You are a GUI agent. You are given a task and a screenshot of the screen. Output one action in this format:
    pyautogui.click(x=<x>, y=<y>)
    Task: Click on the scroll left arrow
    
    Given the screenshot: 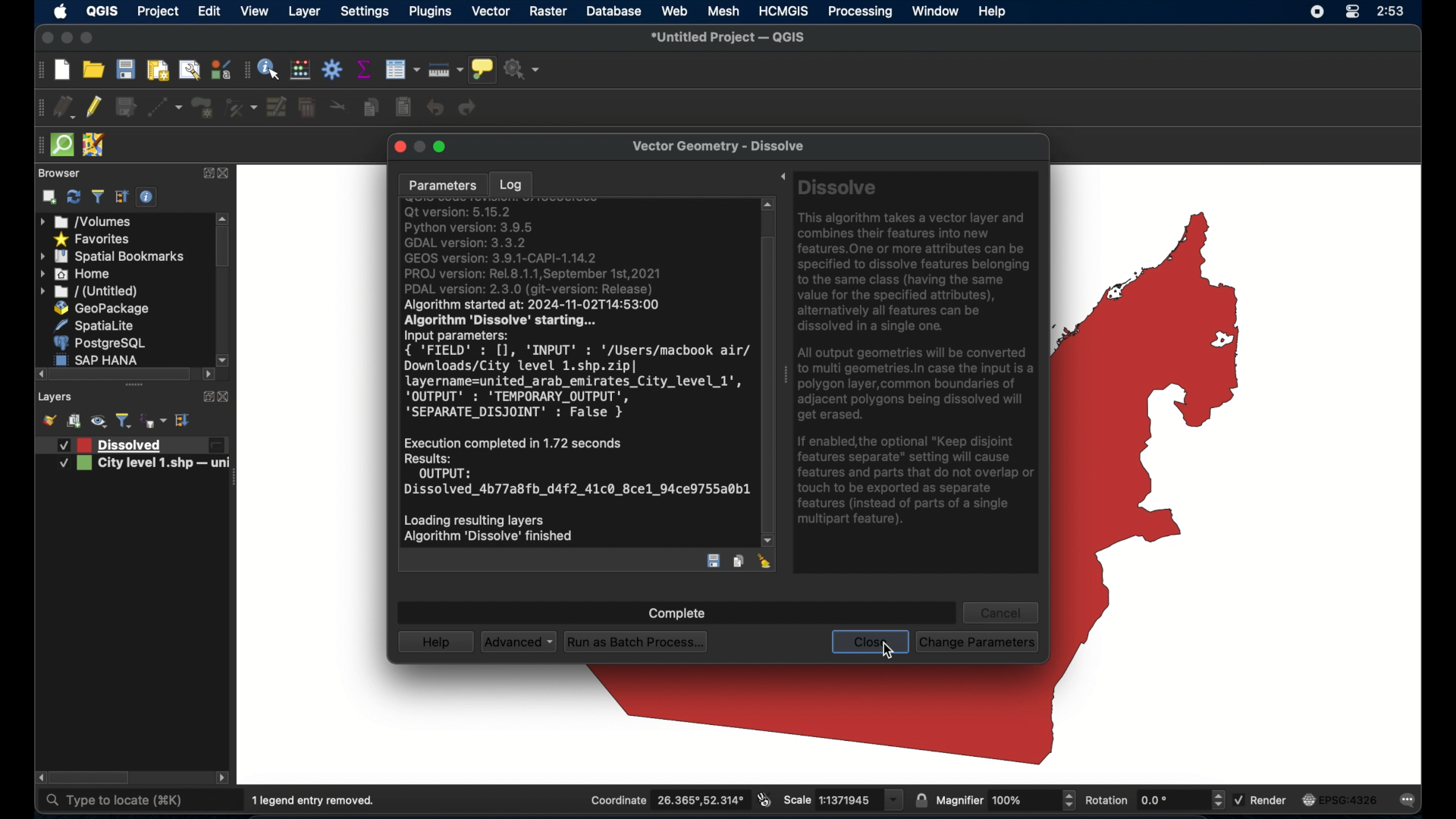 What is the action you would take?
    pyautogui.click(x=224, y=779)
    